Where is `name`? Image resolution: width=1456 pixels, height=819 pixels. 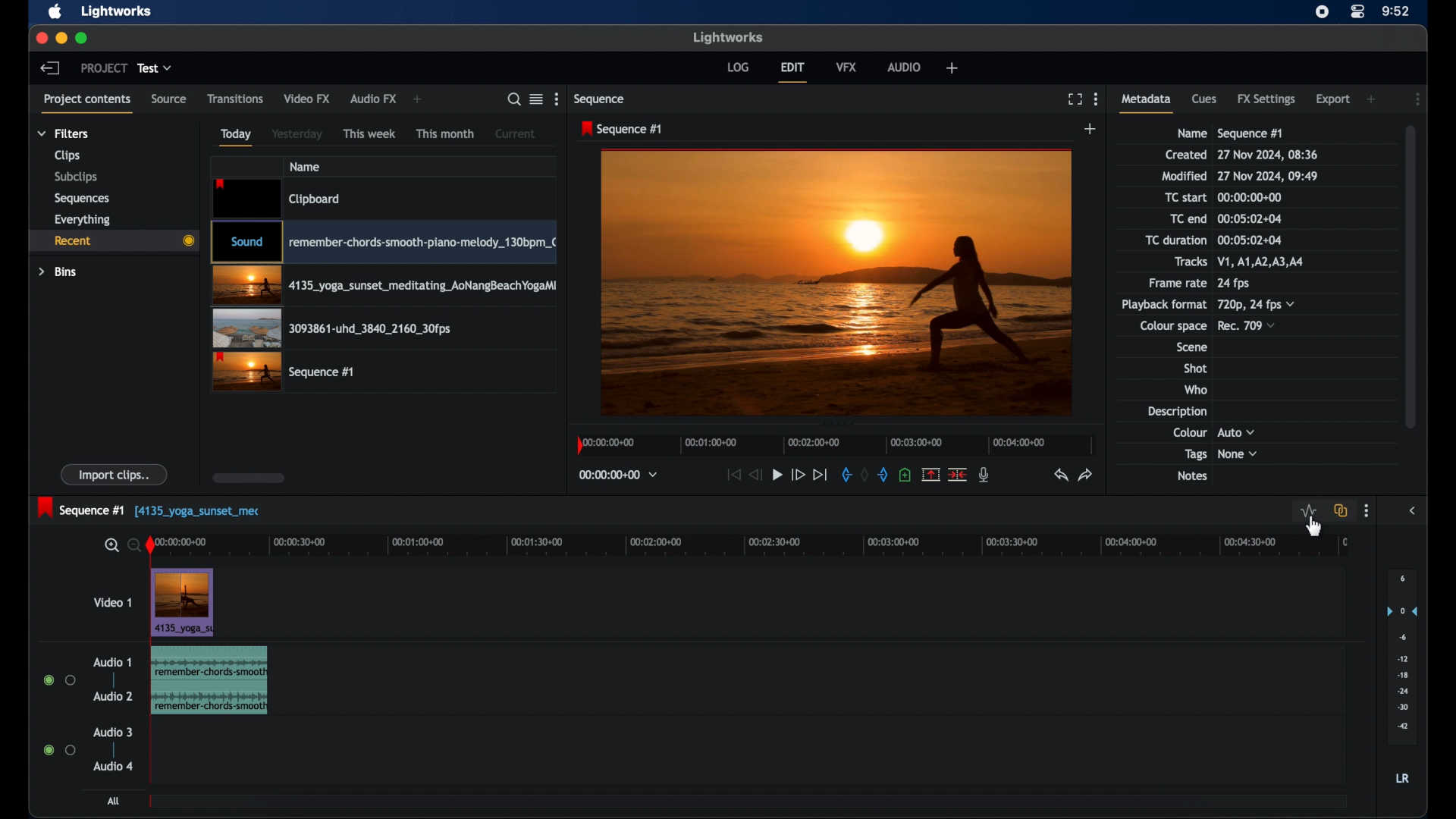
name is located at coordinates (1191, 133).